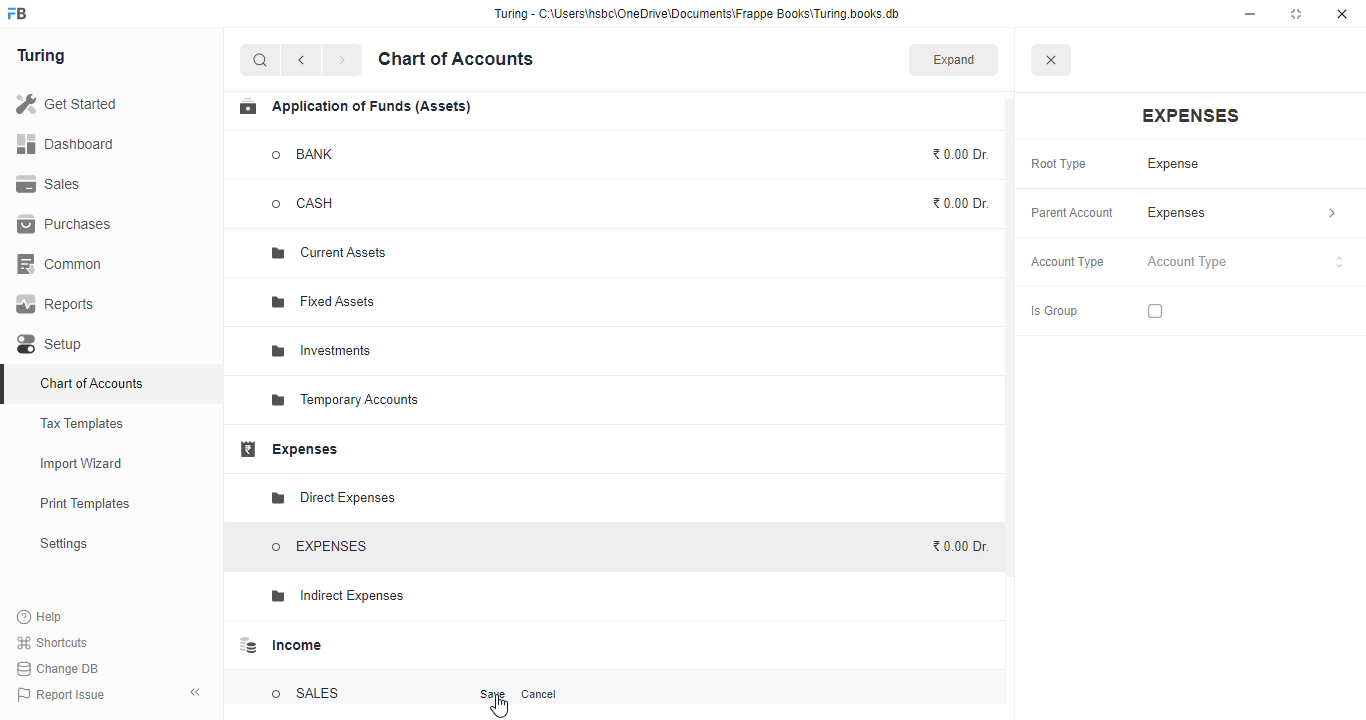  What do you see at coordinates (307, 693) in the screenshot?
I see `SALES - account added` at bounding box center [307, 693].